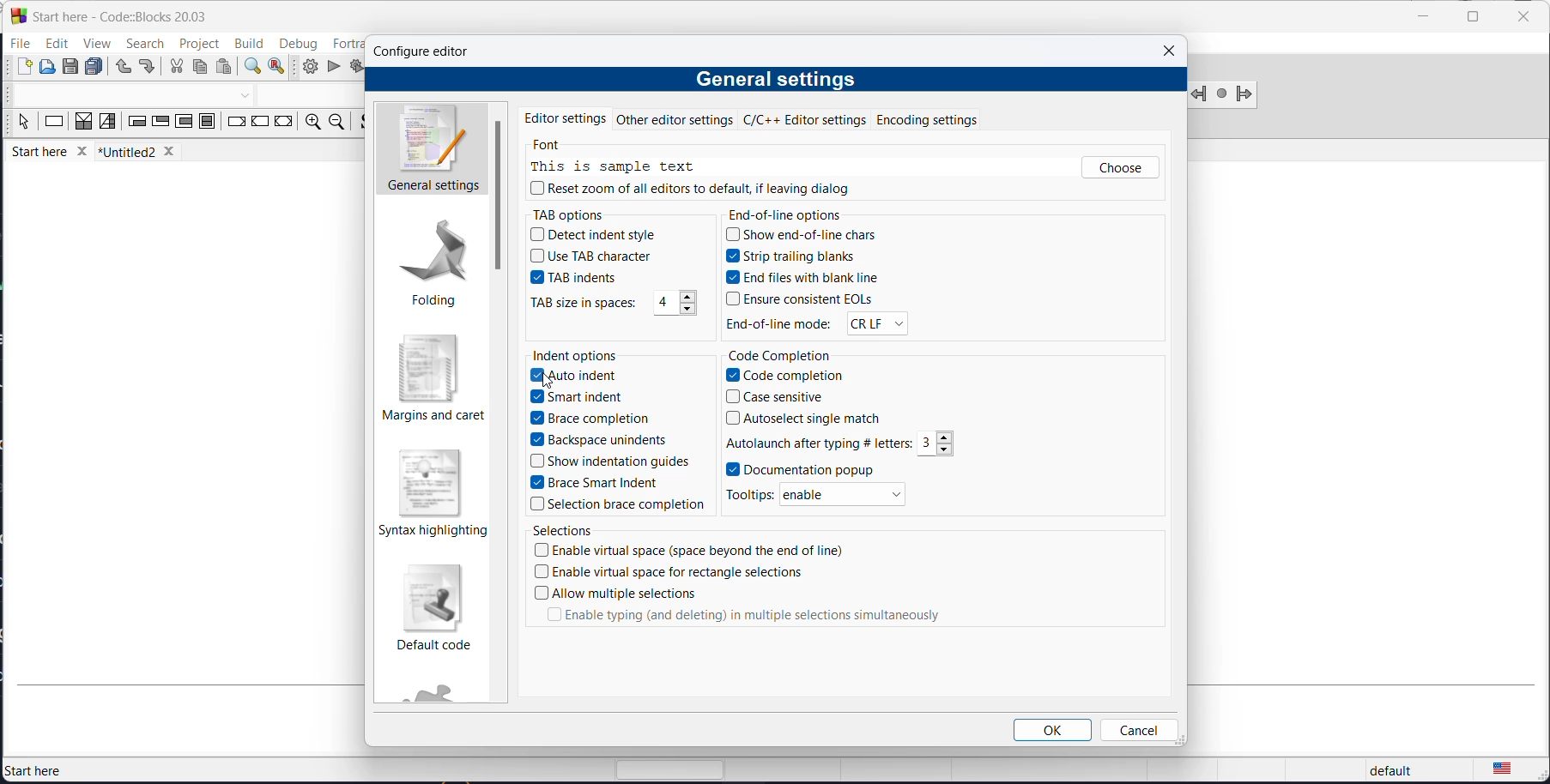  I want to click on end of line options, so click(793, 212).